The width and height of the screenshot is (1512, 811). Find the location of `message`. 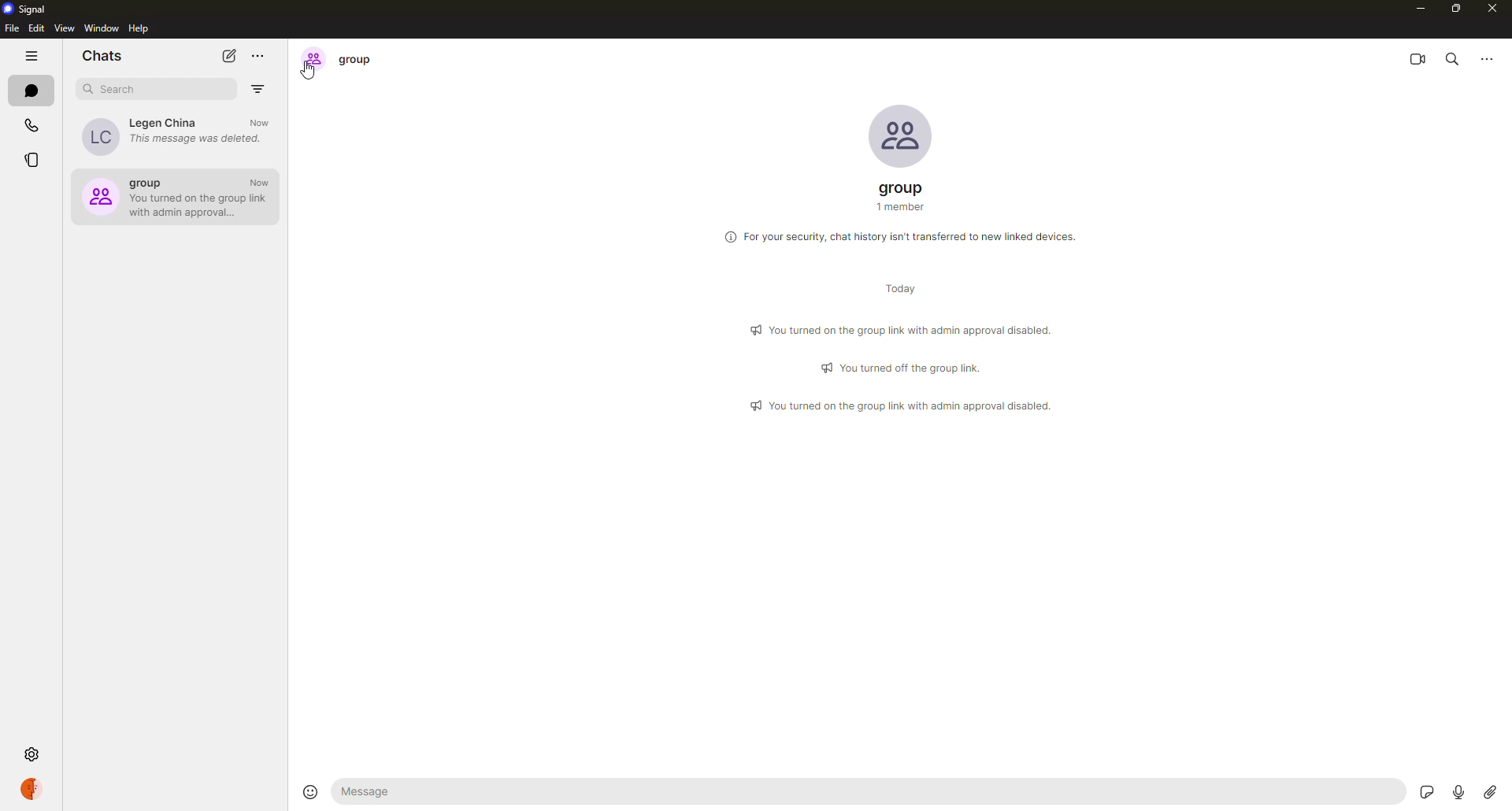

message is located at coordinates (387, 793).